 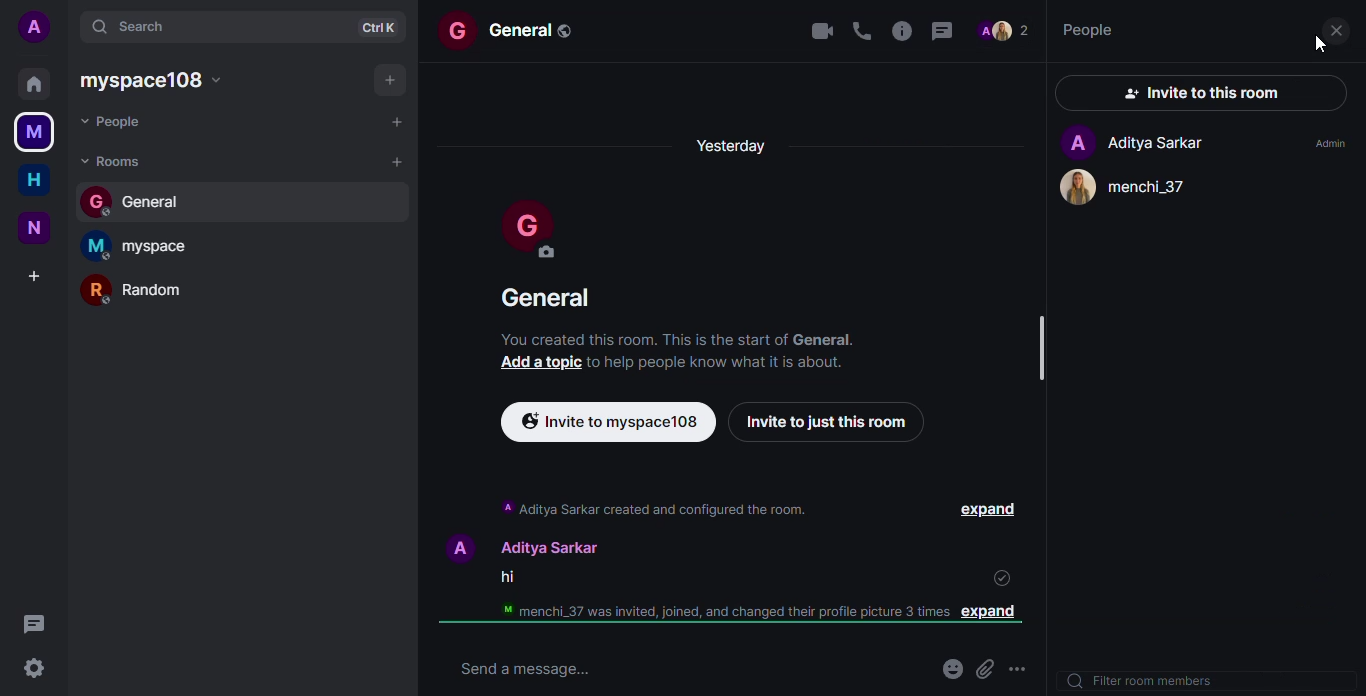 What do you see at coordinates (1149, 681) in the screenshot?
I see `filter room members` at bounding box center [1149, 681].